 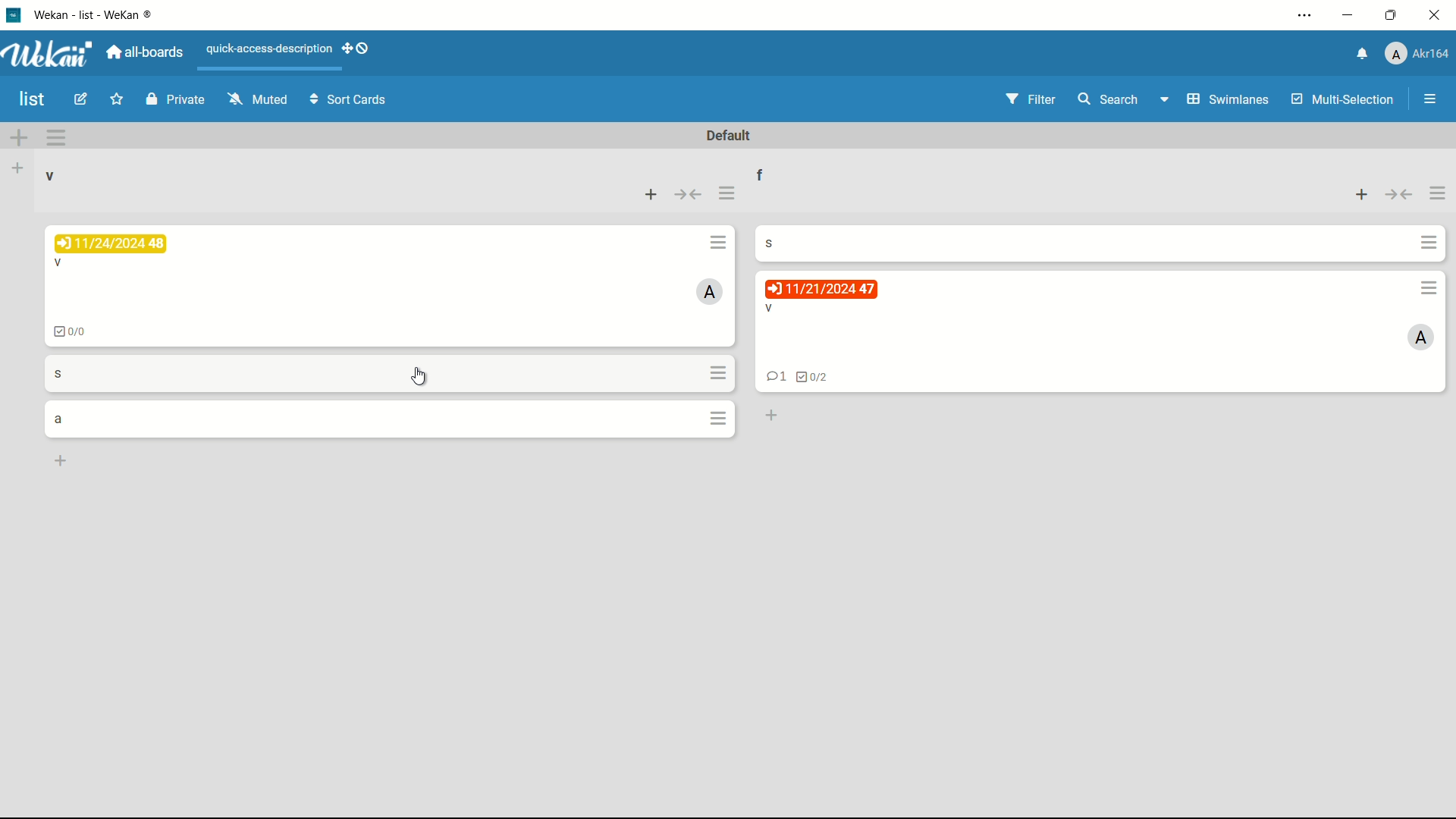 What do you see at coordinates (1419, 52) in the screenshot?
I see `profile` at bounding box center [1419, 52].